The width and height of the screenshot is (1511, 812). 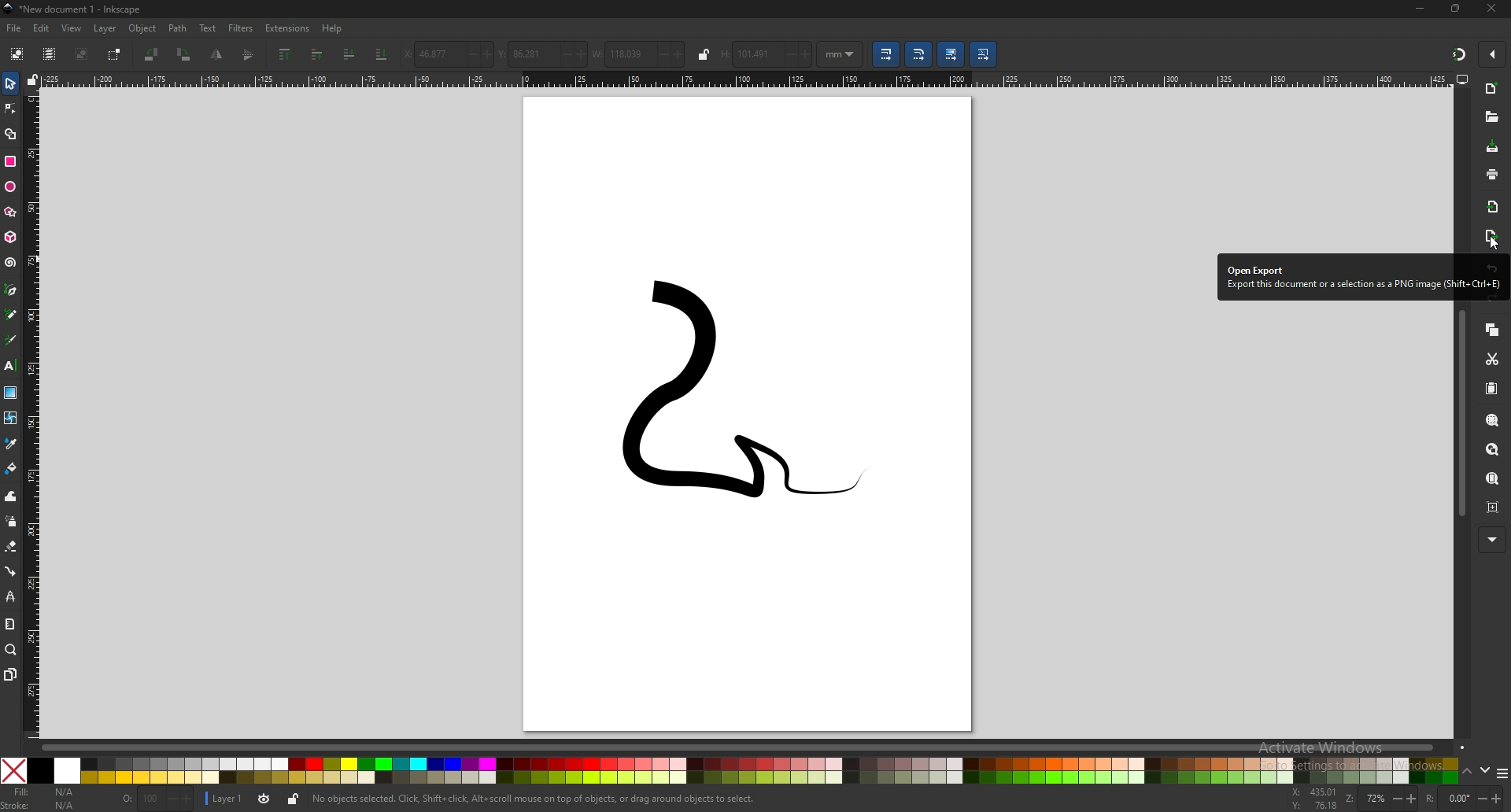 I want to click on select all objects, so click(x=16, y=54).